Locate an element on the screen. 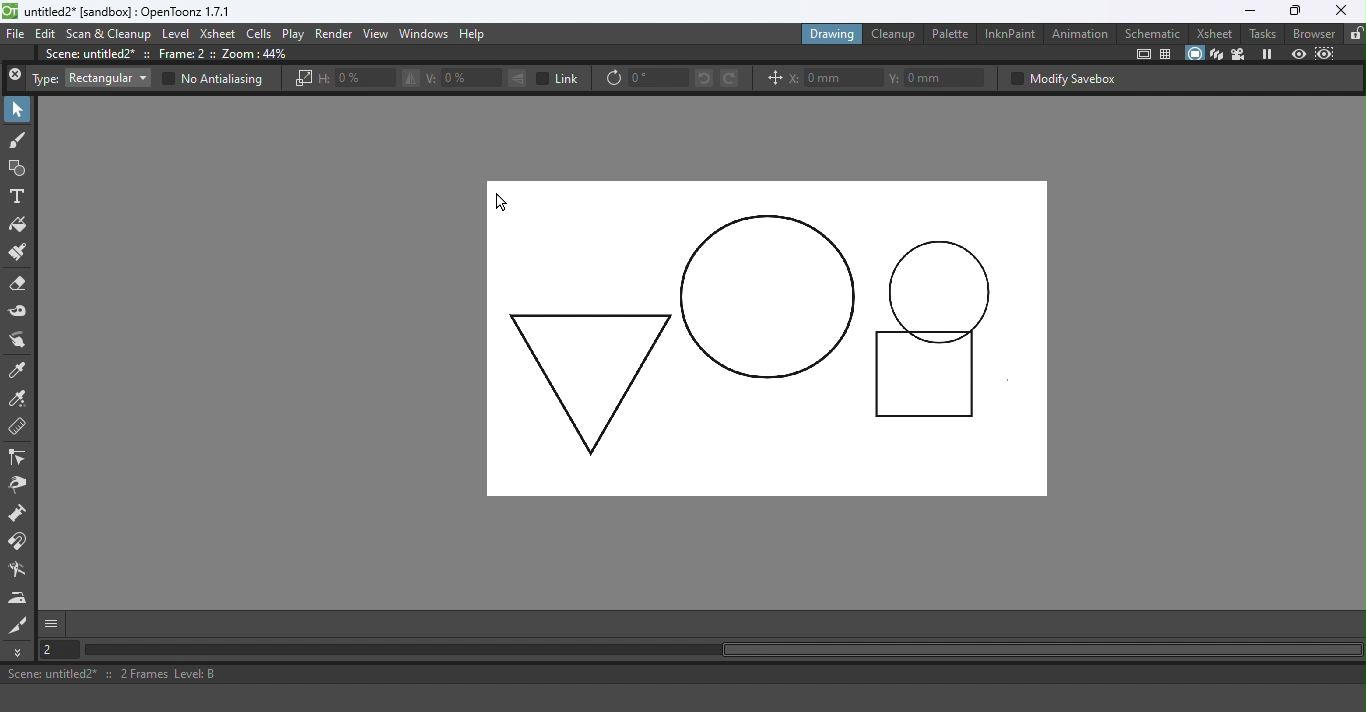 The width and height of the screenshot is (1366, 712). Scan & Cleanup is located at coordinates (109, 35).